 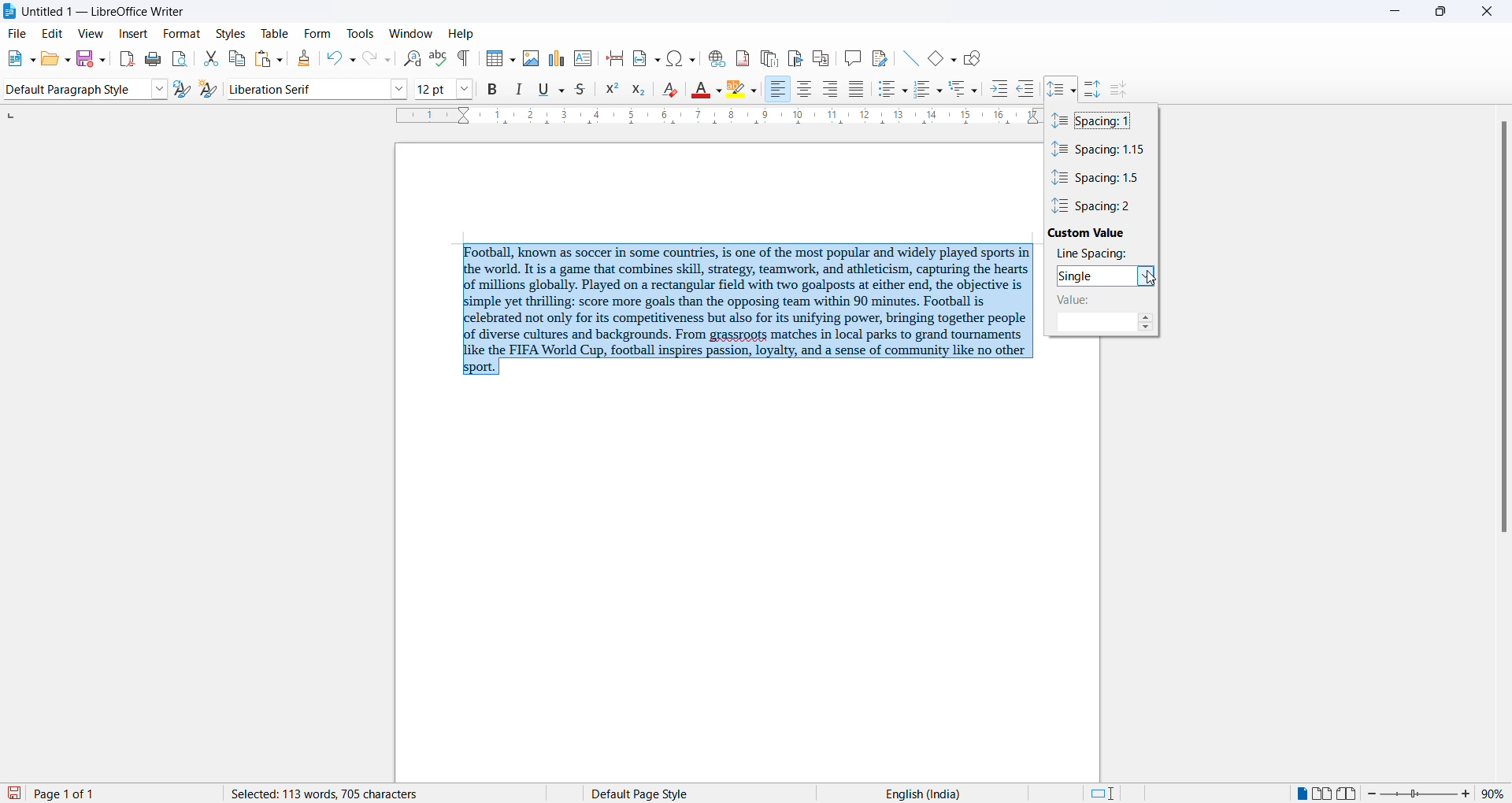 I want to click on underline options, so click(x=561, y=90).